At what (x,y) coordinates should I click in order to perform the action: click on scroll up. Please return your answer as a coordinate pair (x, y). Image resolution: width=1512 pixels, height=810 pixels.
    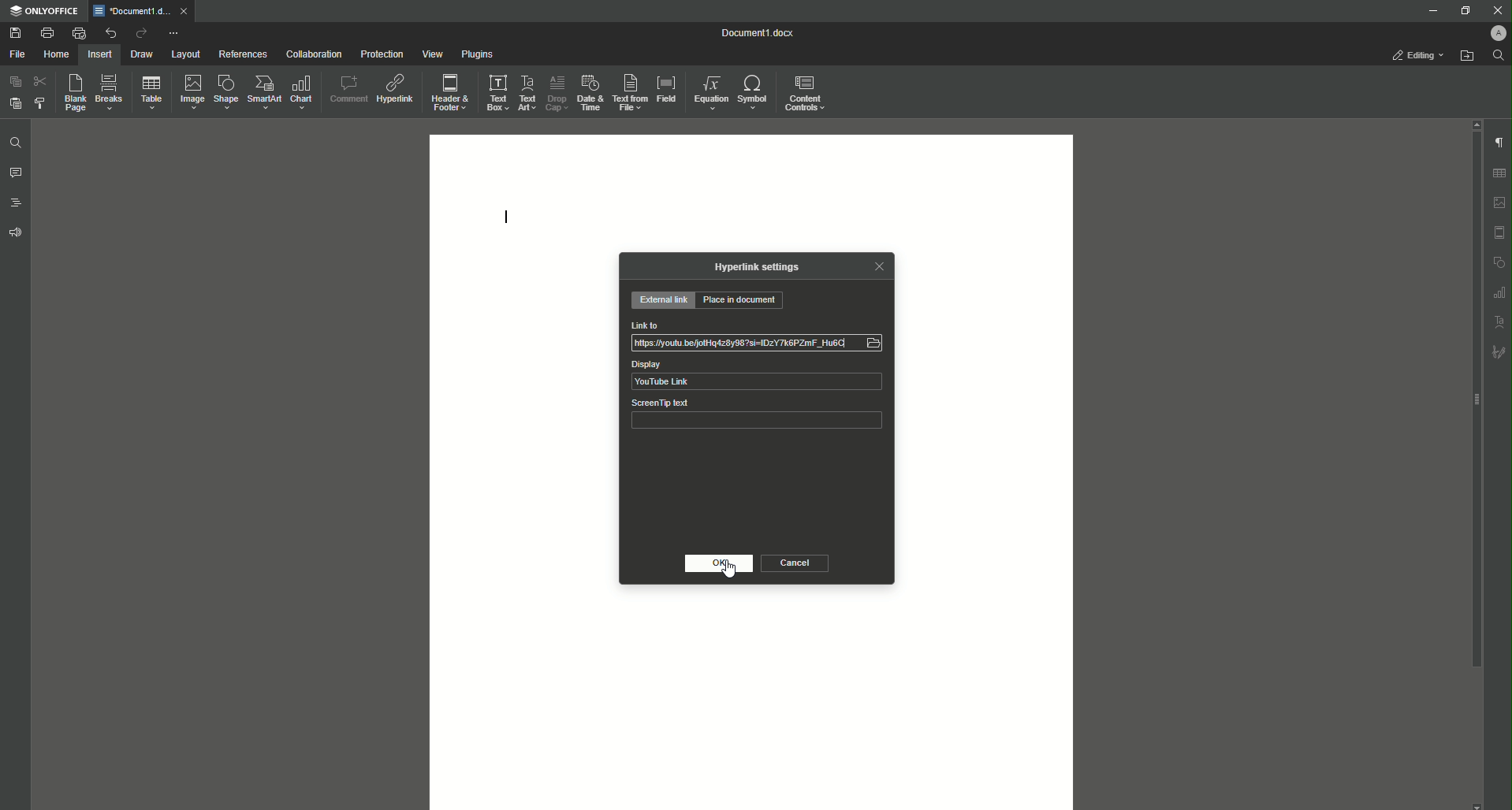
    Looking at the image, I should click on (1477, 124).